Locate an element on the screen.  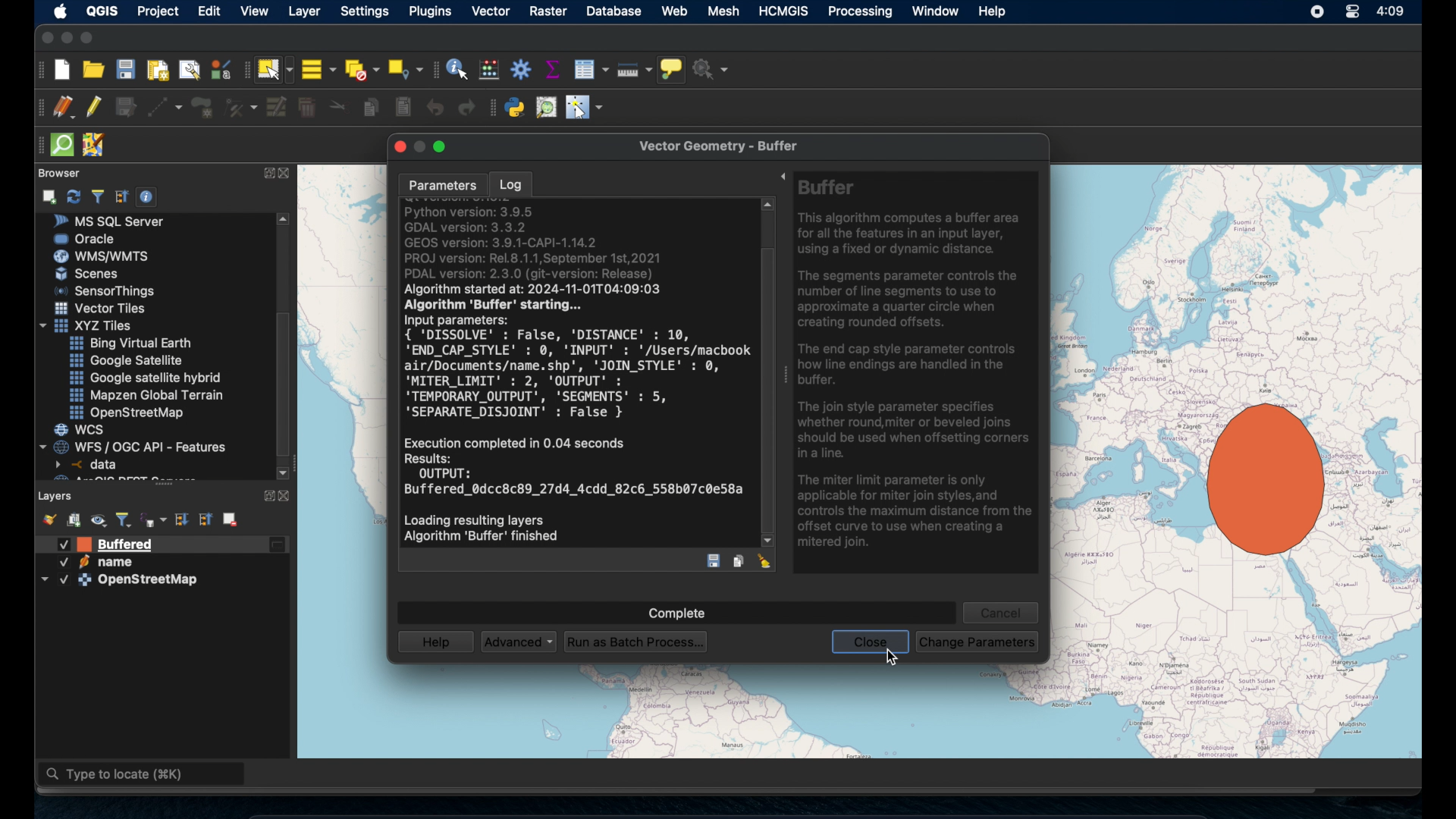
openstreetmap is located at coordinates (130, 413).